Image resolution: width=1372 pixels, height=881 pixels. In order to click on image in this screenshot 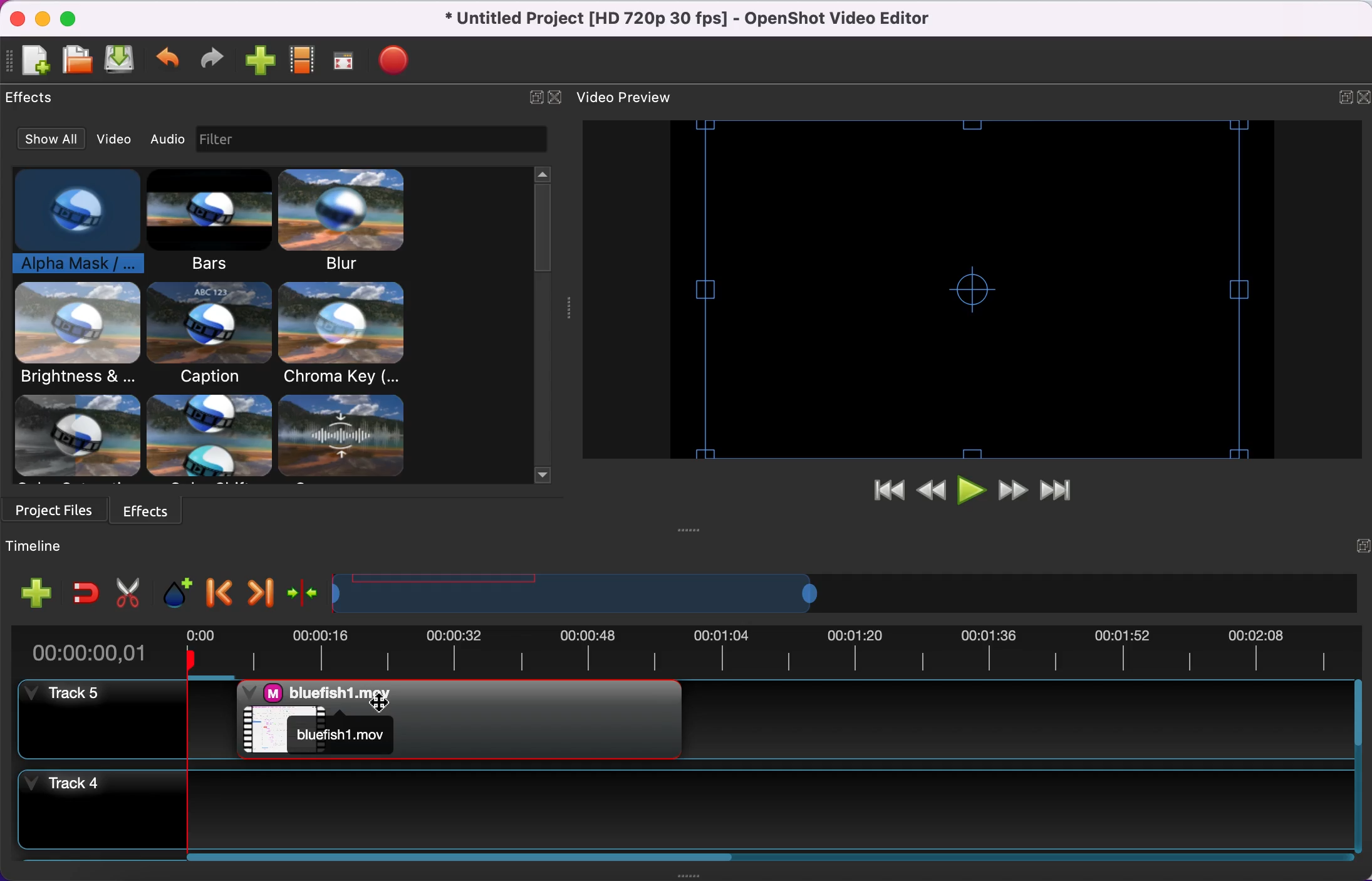, I will do `click(221, 140)`.